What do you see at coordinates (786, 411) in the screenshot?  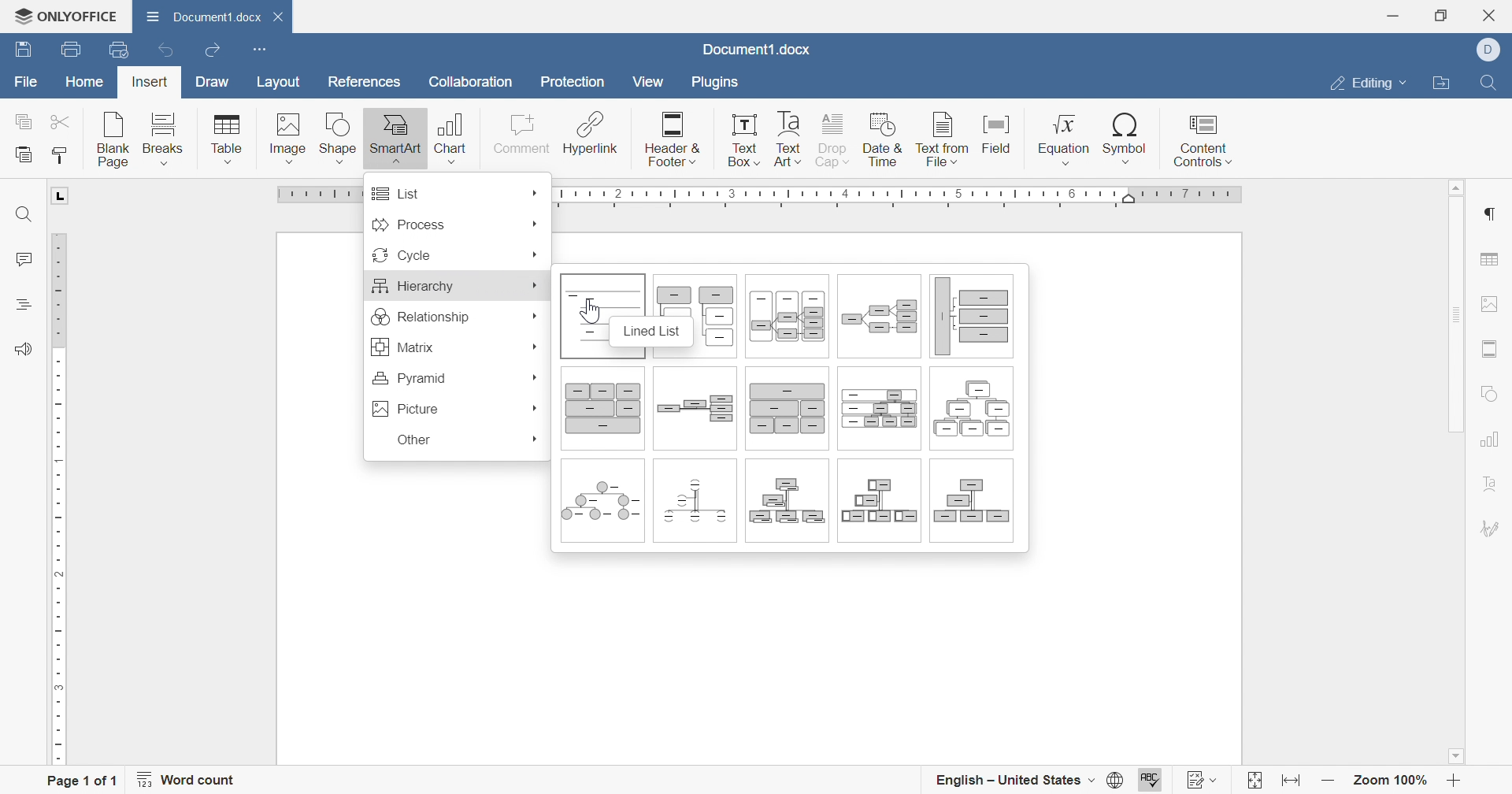 I see `Table hierarchy` at bounding box center [786, 411].